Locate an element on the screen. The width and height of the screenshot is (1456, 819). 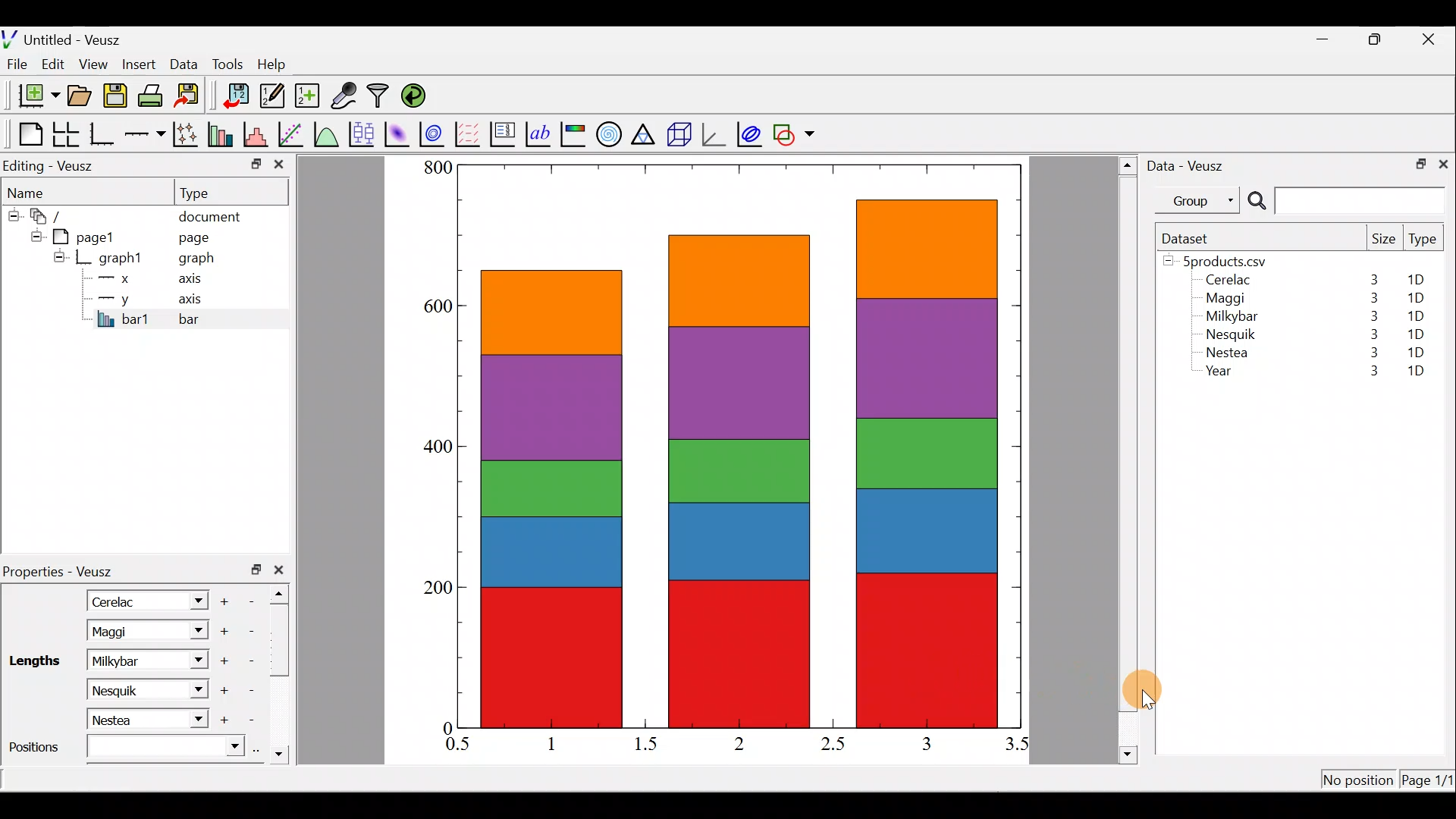
Add another item is located at coordinates (227, 599).